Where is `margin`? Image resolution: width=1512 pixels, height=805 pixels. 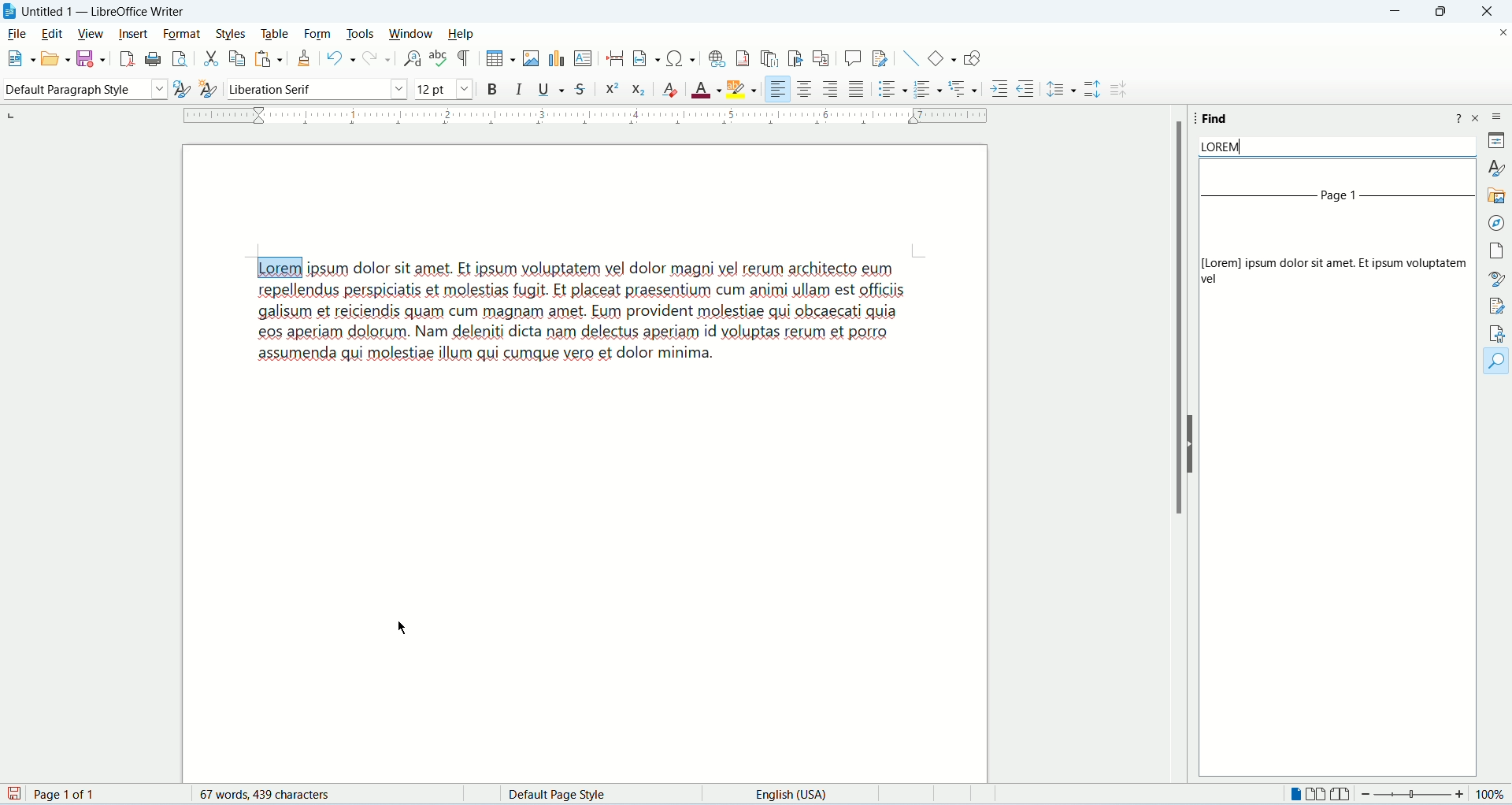
margin is located at coordinates (586, 119).